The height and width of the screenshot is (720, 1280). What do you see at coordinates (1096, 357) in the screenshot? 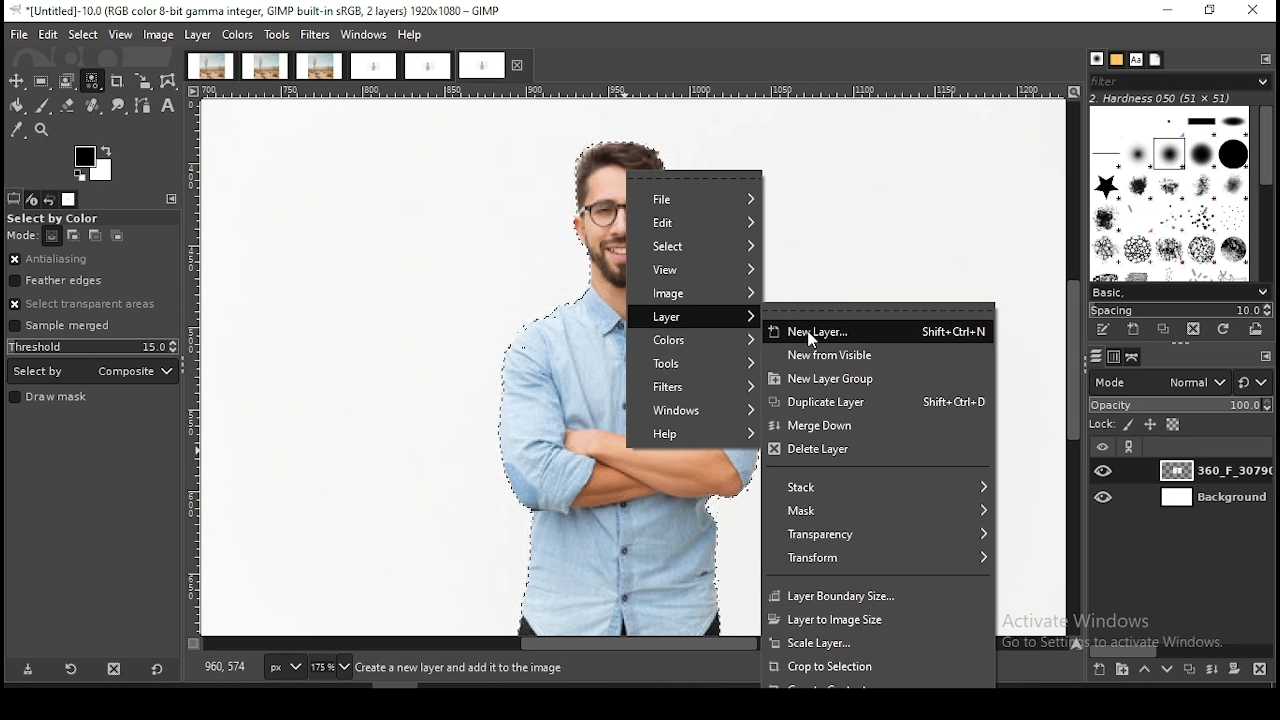
I see `layers` at bounding box center [1096, 357].